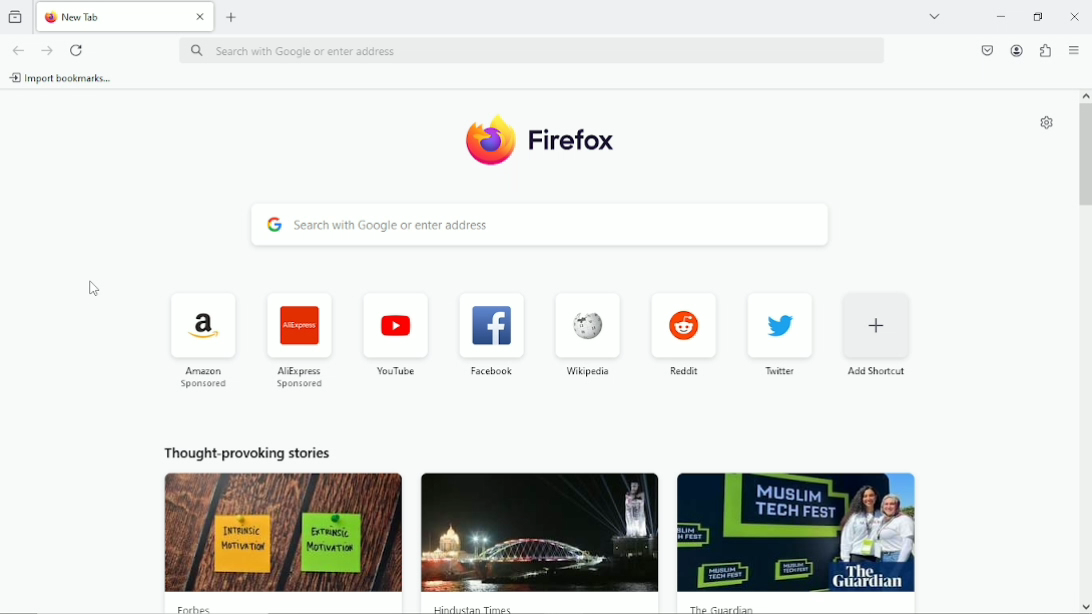 The width and height of the screenshot is (1092, 614). I want to click on Account, so click(1015, 50).